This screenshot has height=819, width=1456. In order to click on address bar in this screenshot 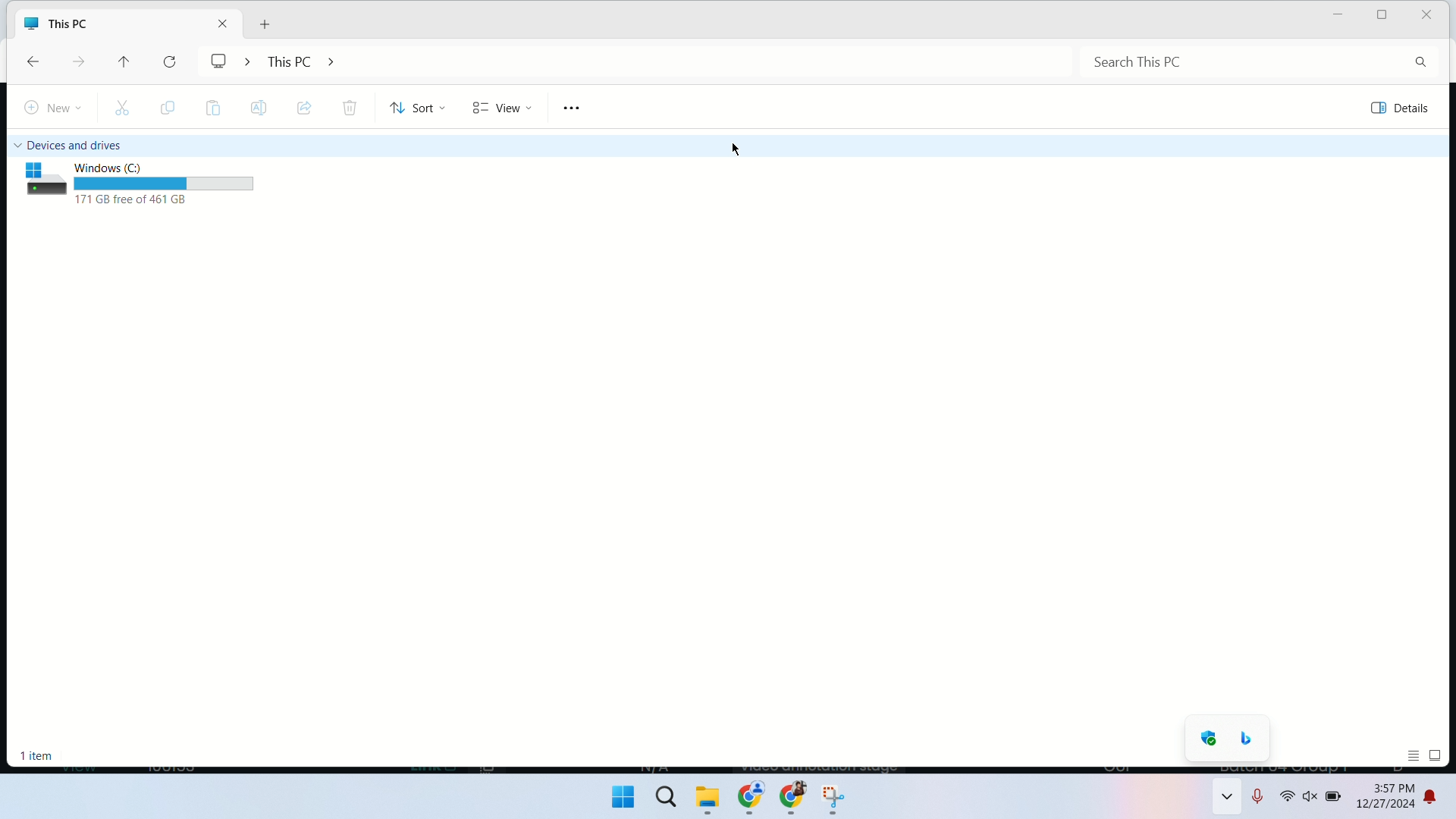, I will do `click(635, 62)`.